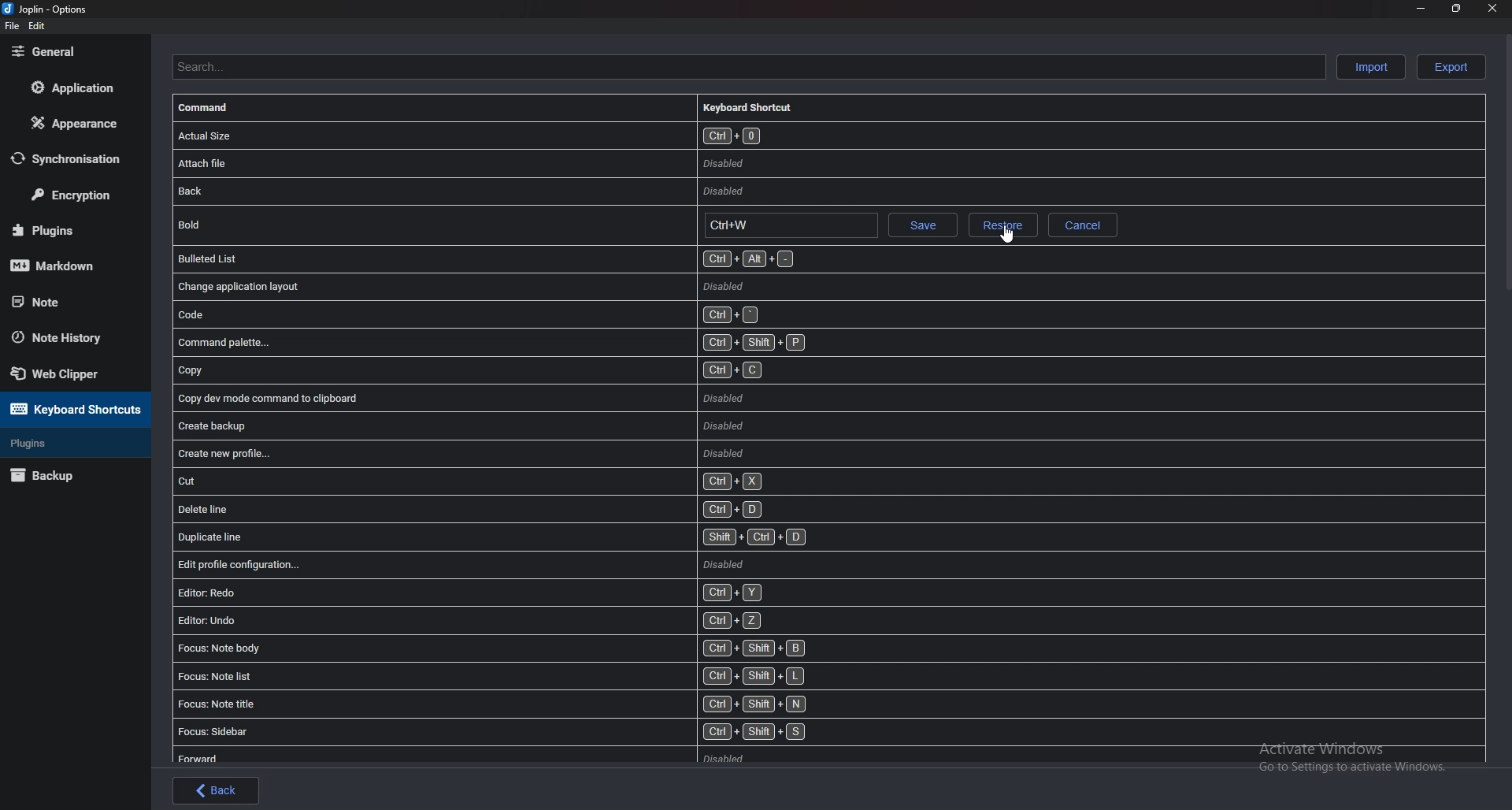 The image size is (1512, 810). What do you see at coordinates (1421, 10) in the screenshot?
I see `Minimize` at bounding box center [1421, 10].